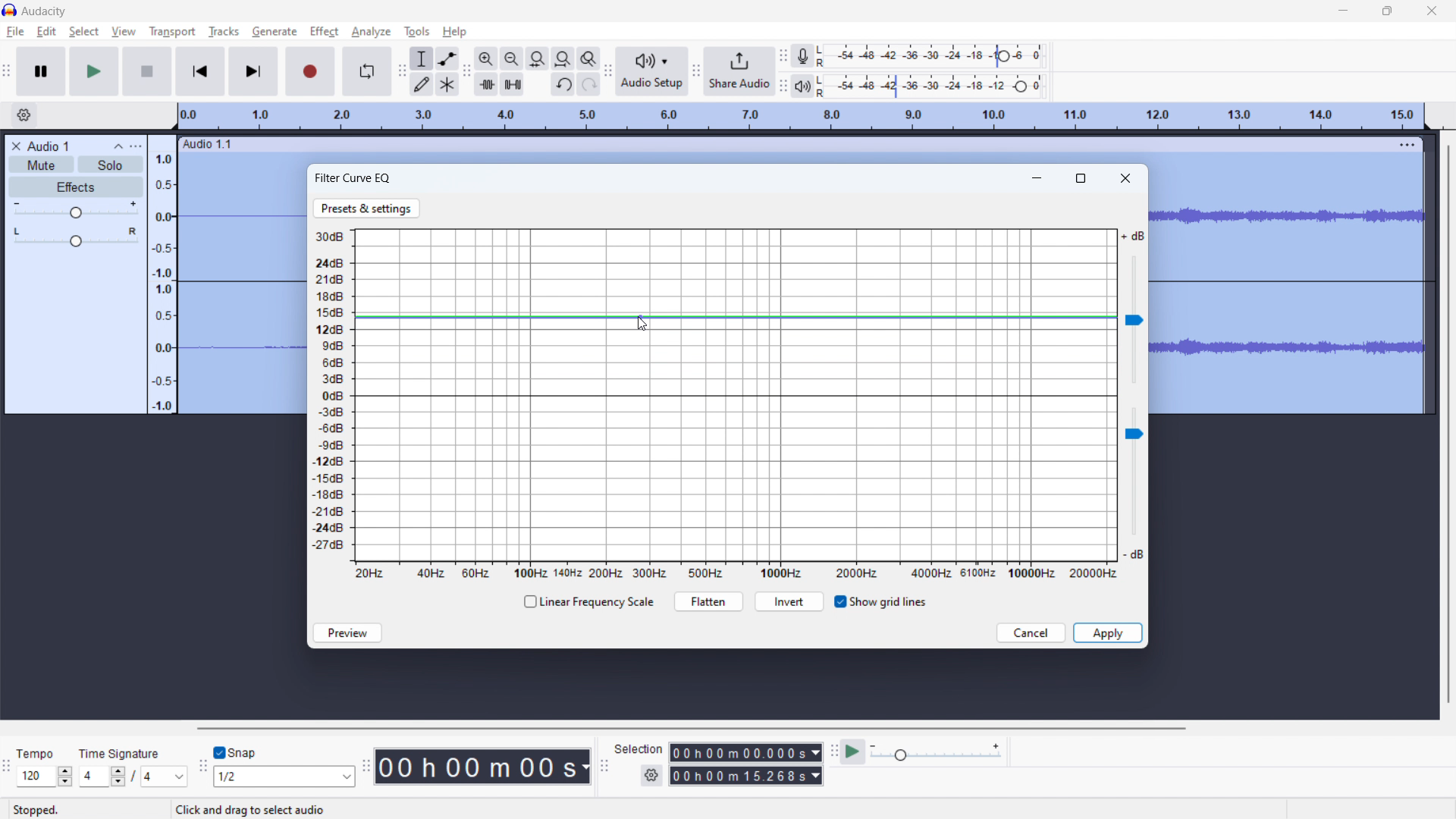 This screenshot has width=1456, height=819. What do you see at coordinates (651, 776) in the screenshot?
I see `settings` at bounding box center [651, 776].